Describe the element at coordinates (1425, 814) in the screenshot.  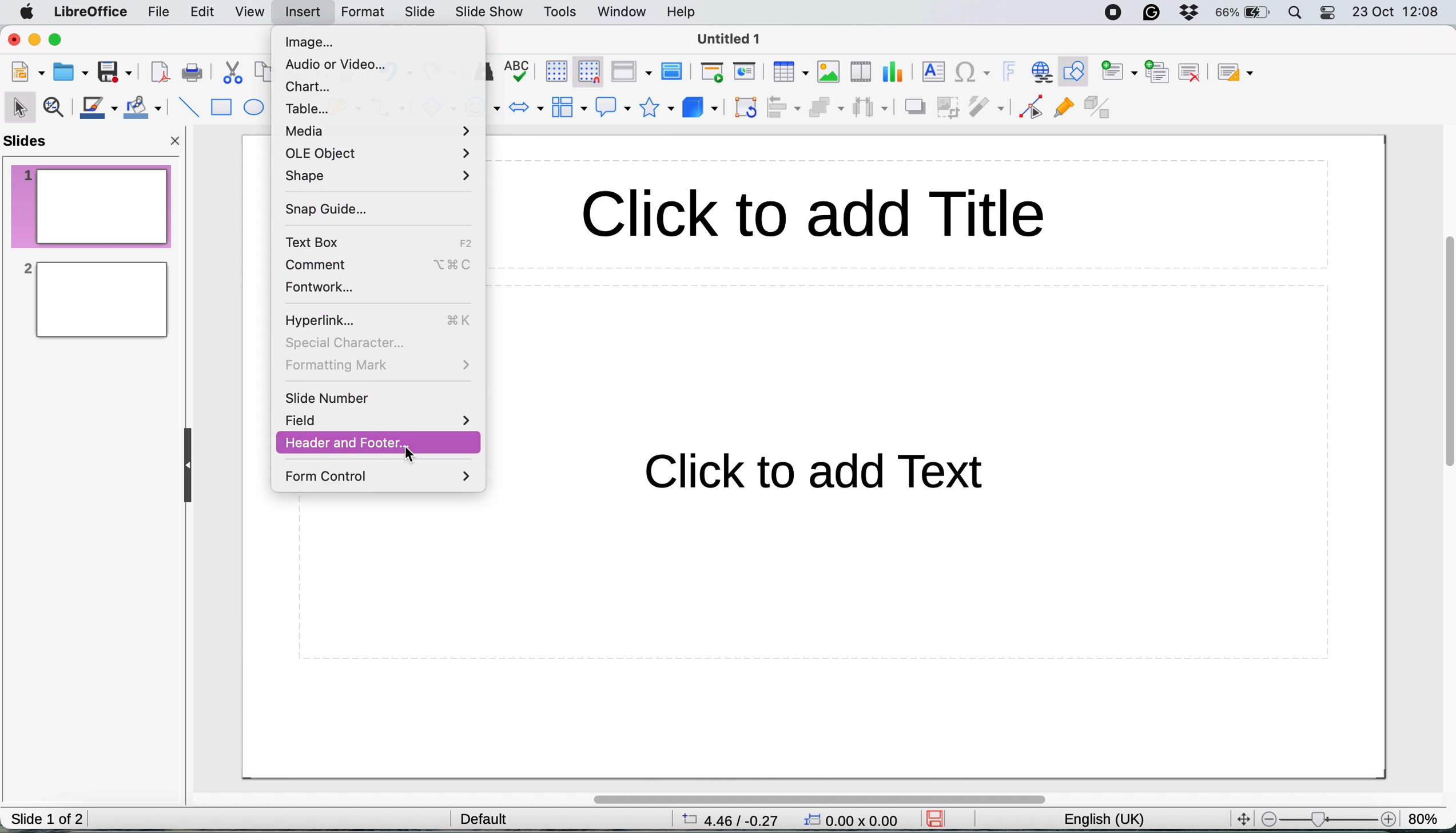
I see `zoom factor` at that location.